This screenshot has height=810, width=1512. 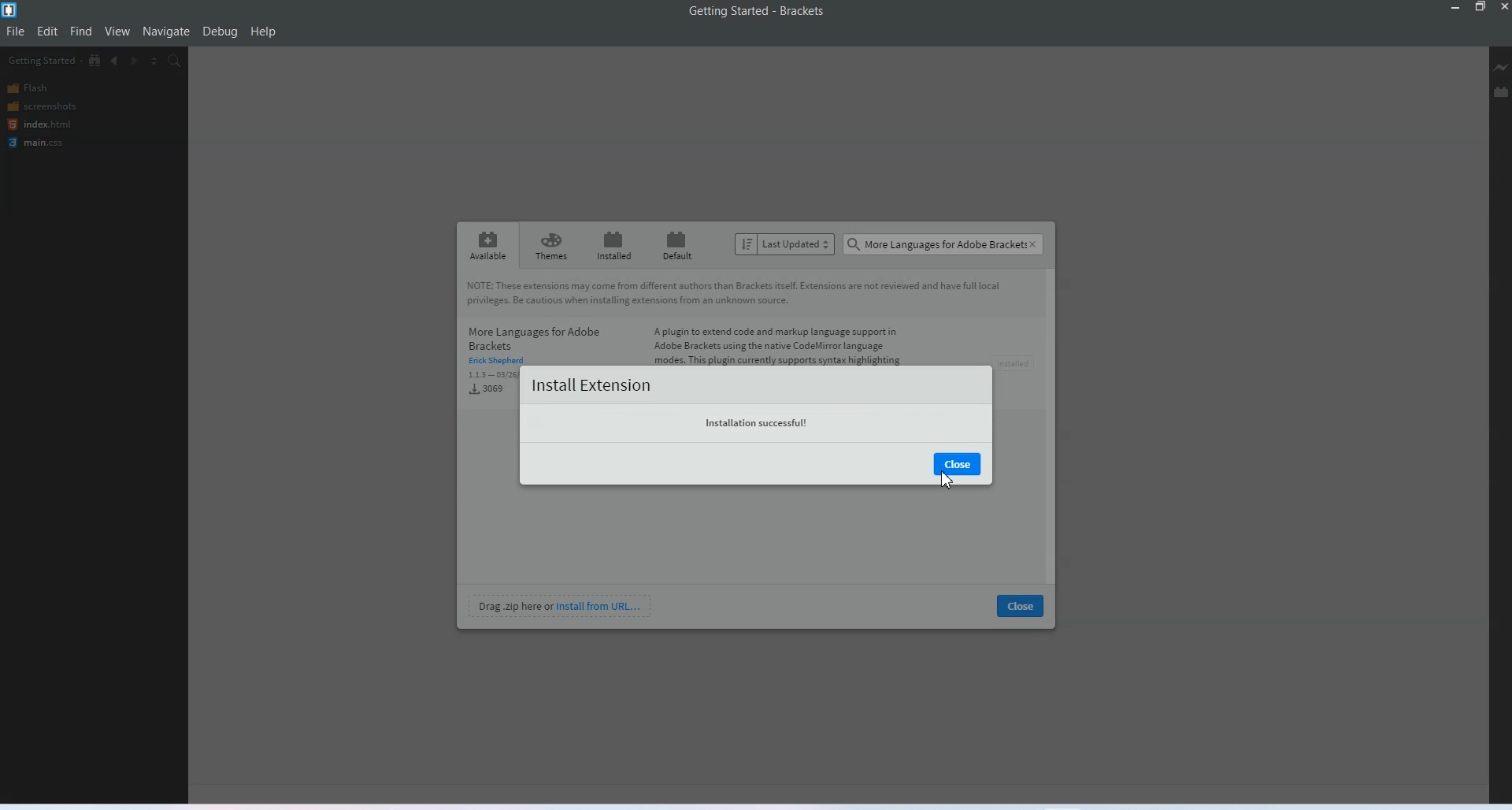 What do you see at coordinates (1018, 363) in the screenshot?
I see `install` at bounding box center [1018, 363].